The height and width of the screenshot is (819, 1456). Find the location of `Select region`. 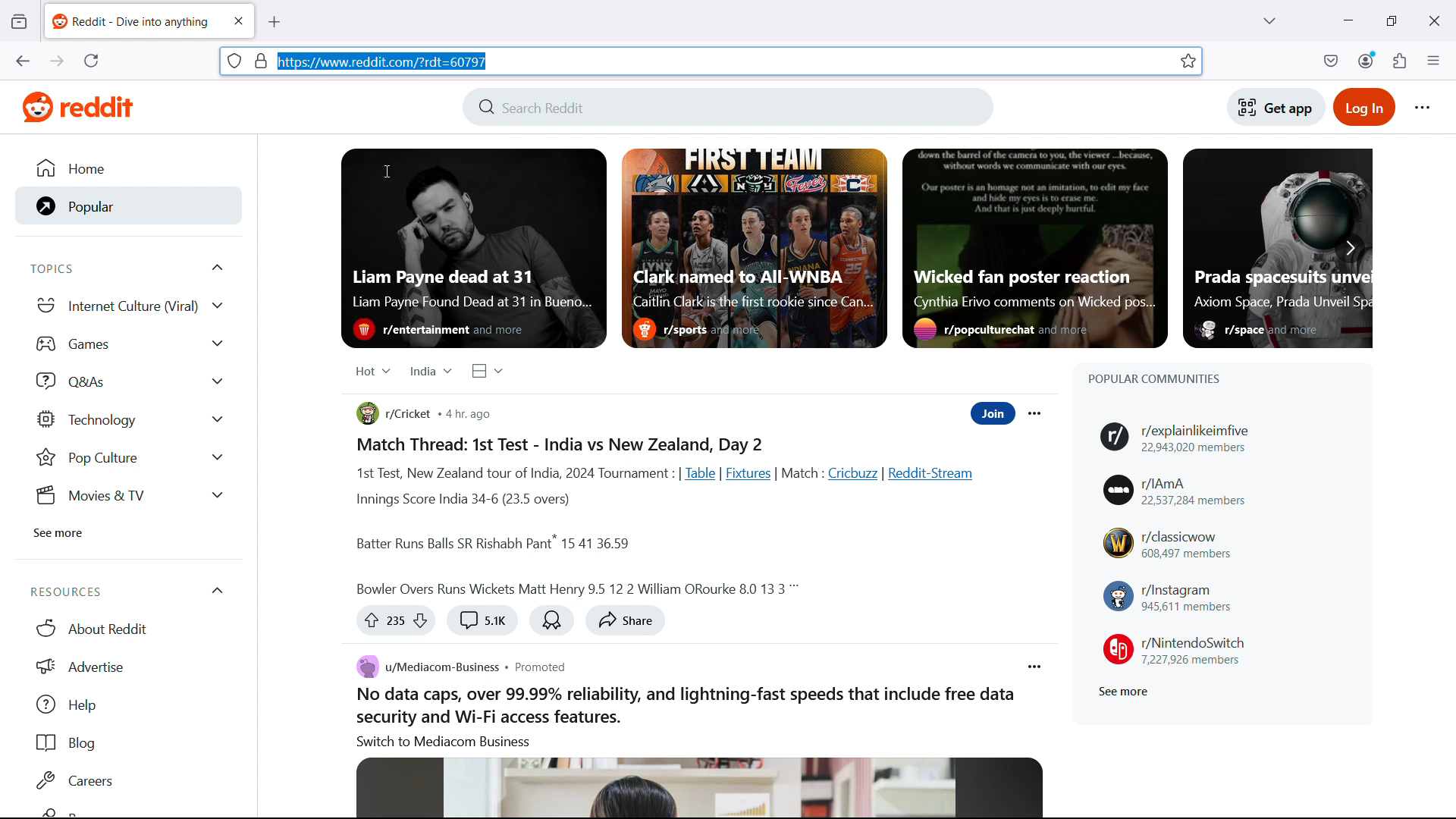

Select region is located at coordinates (430, 371).